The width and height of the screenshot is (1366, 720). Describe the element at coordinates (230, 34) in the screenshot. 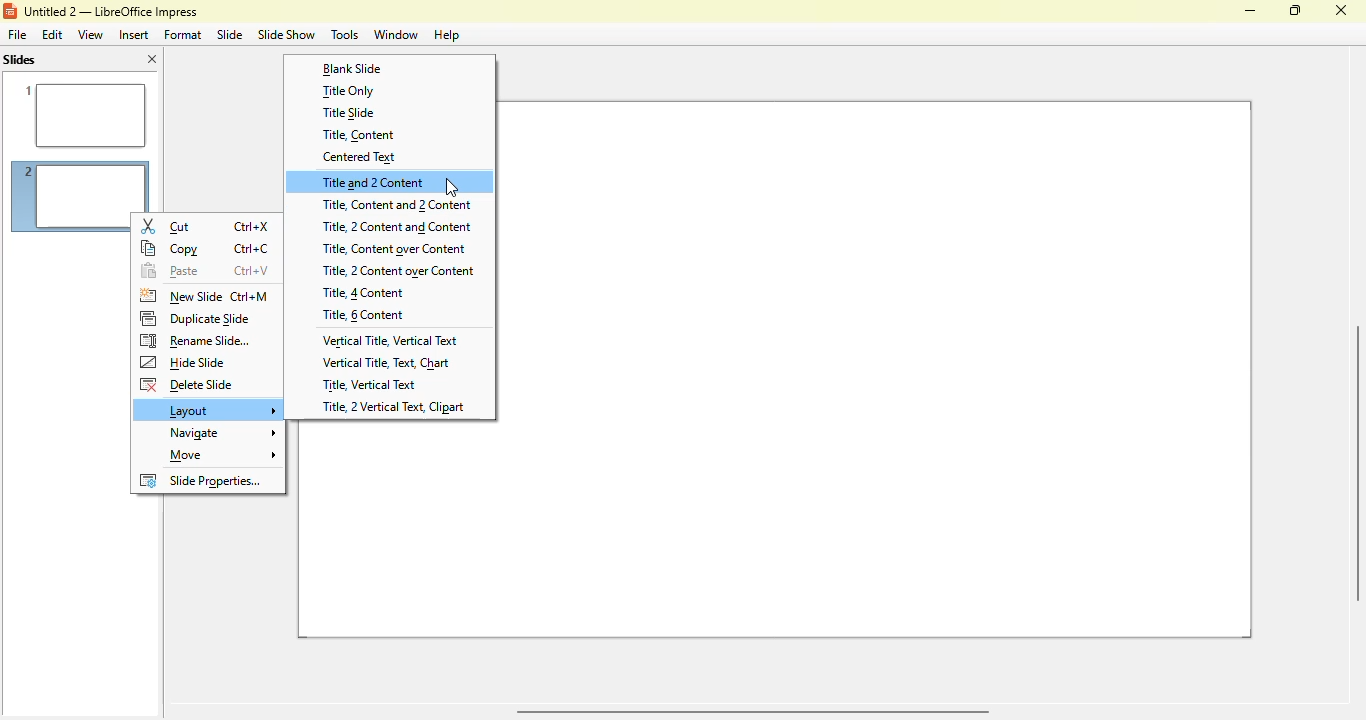

I see `slide` at that location.